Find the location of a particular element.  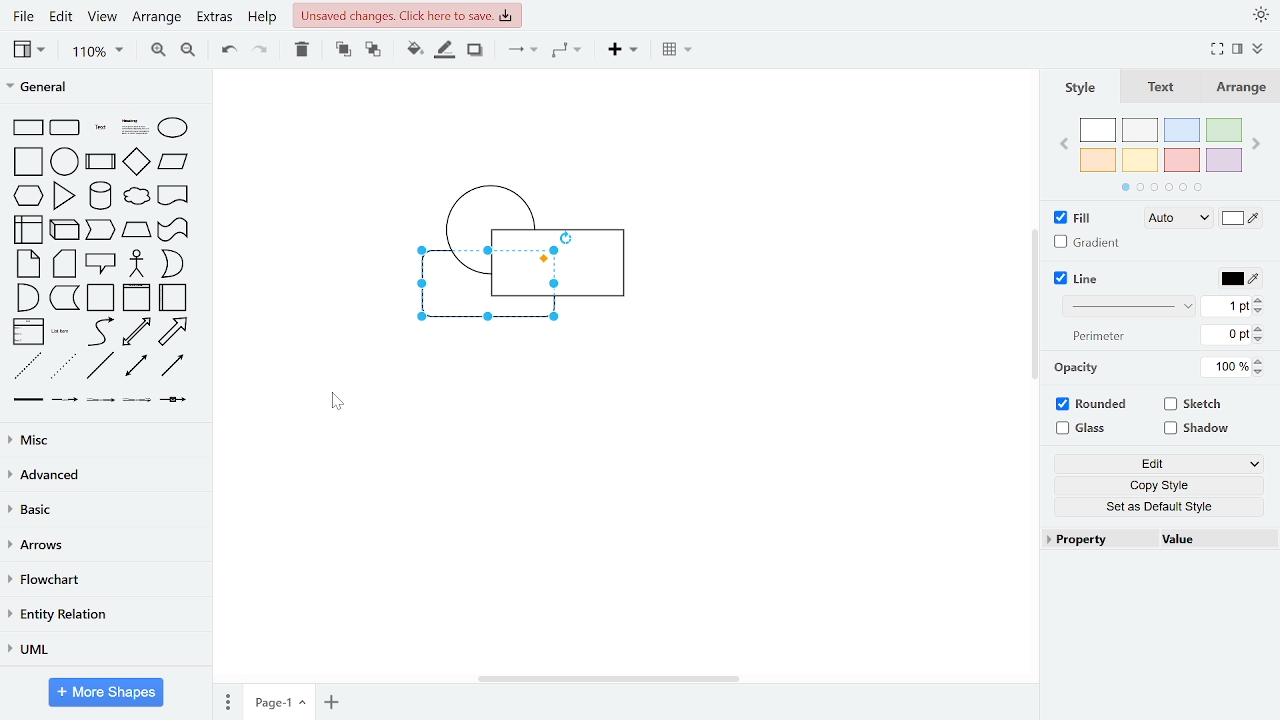

data storage is located at coordinates (63, 297).